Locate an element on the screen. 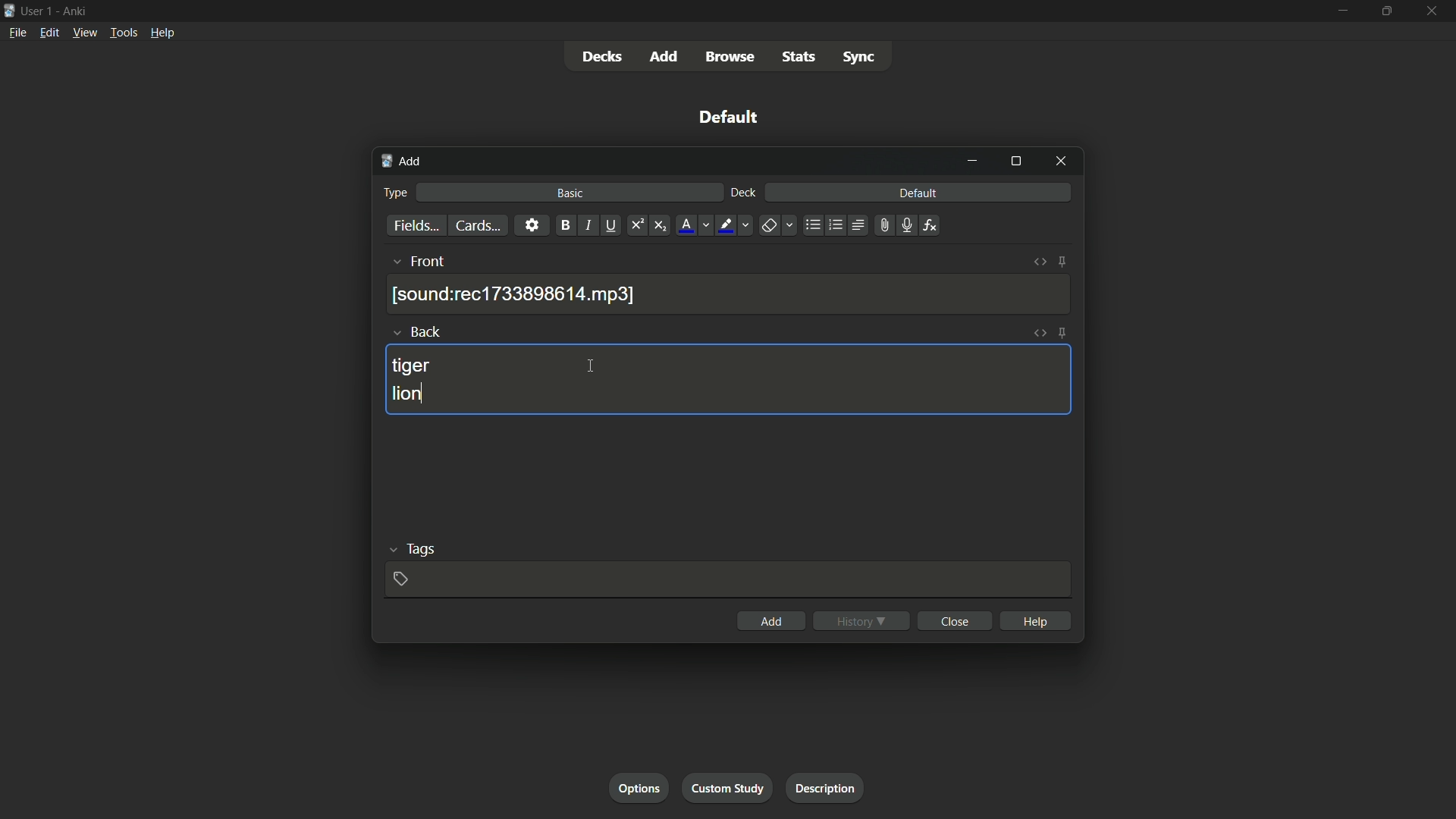 This screenshot has width=1456, height=819. close is located at coordinates (954, 621).